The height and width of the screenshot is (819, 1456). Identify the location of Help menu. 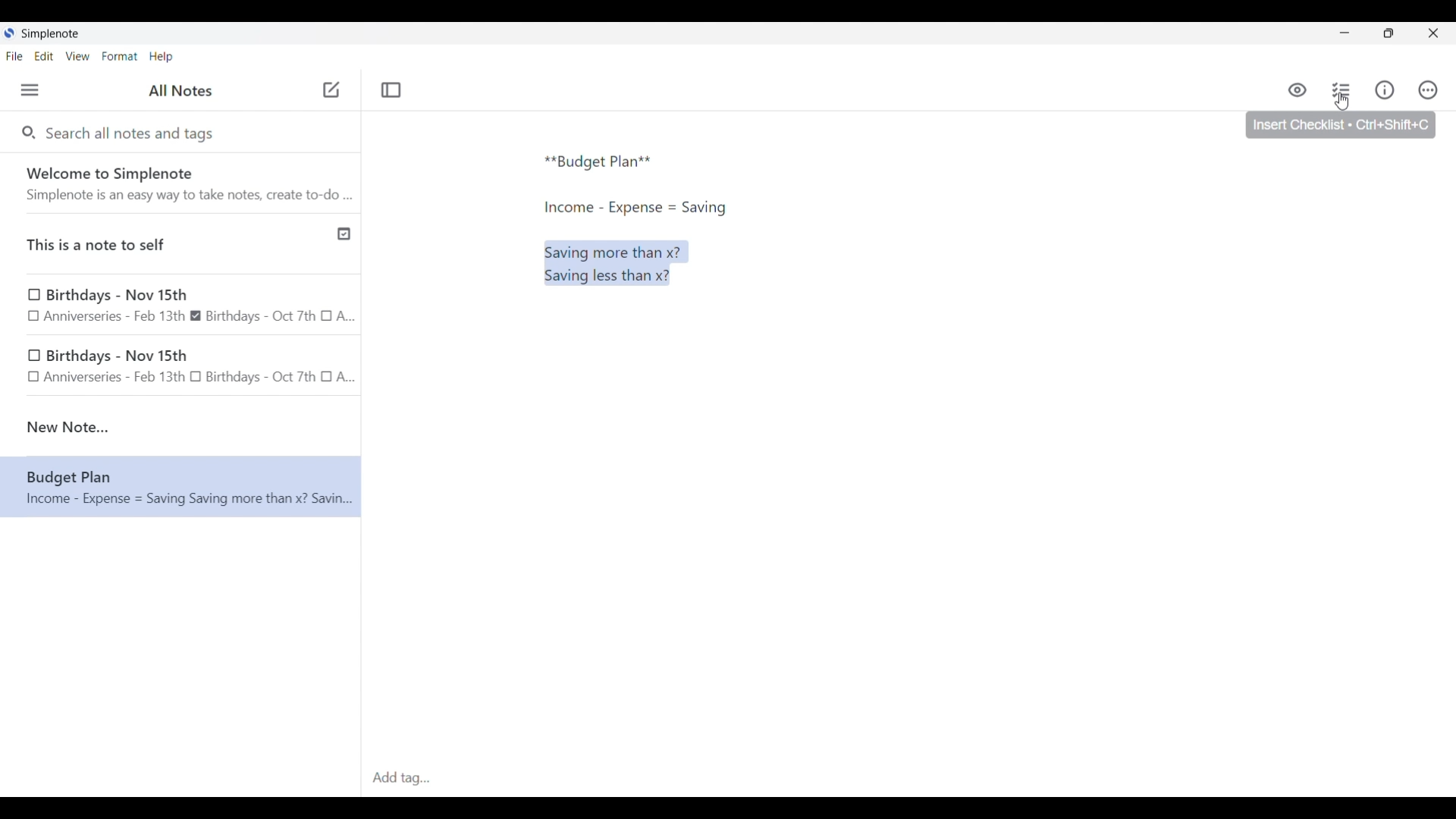
(161, 56).